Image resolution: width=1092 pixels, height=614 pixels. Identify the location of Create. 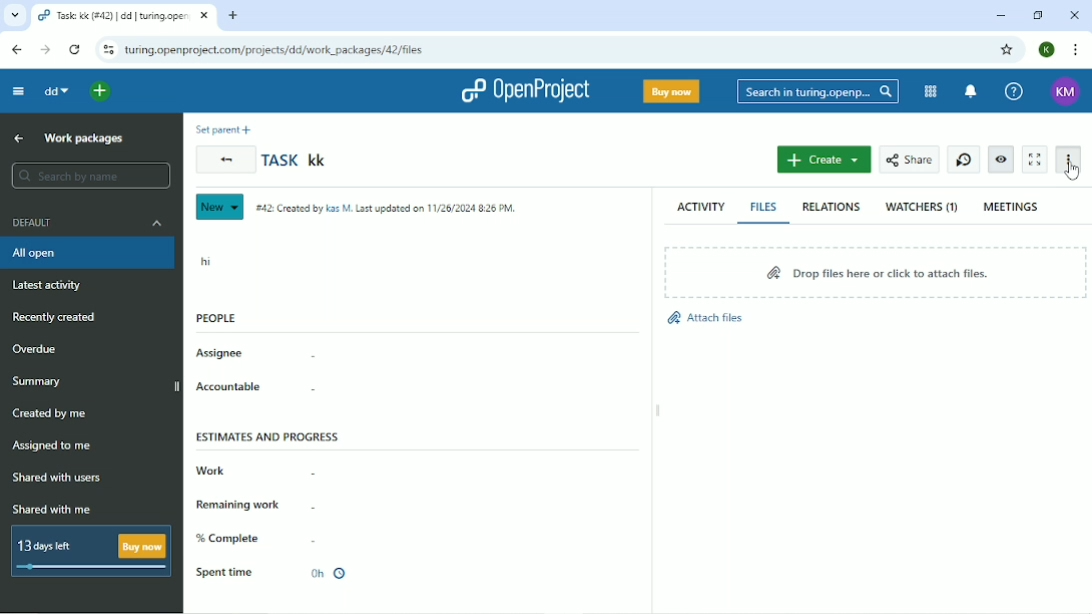
(823, 159).